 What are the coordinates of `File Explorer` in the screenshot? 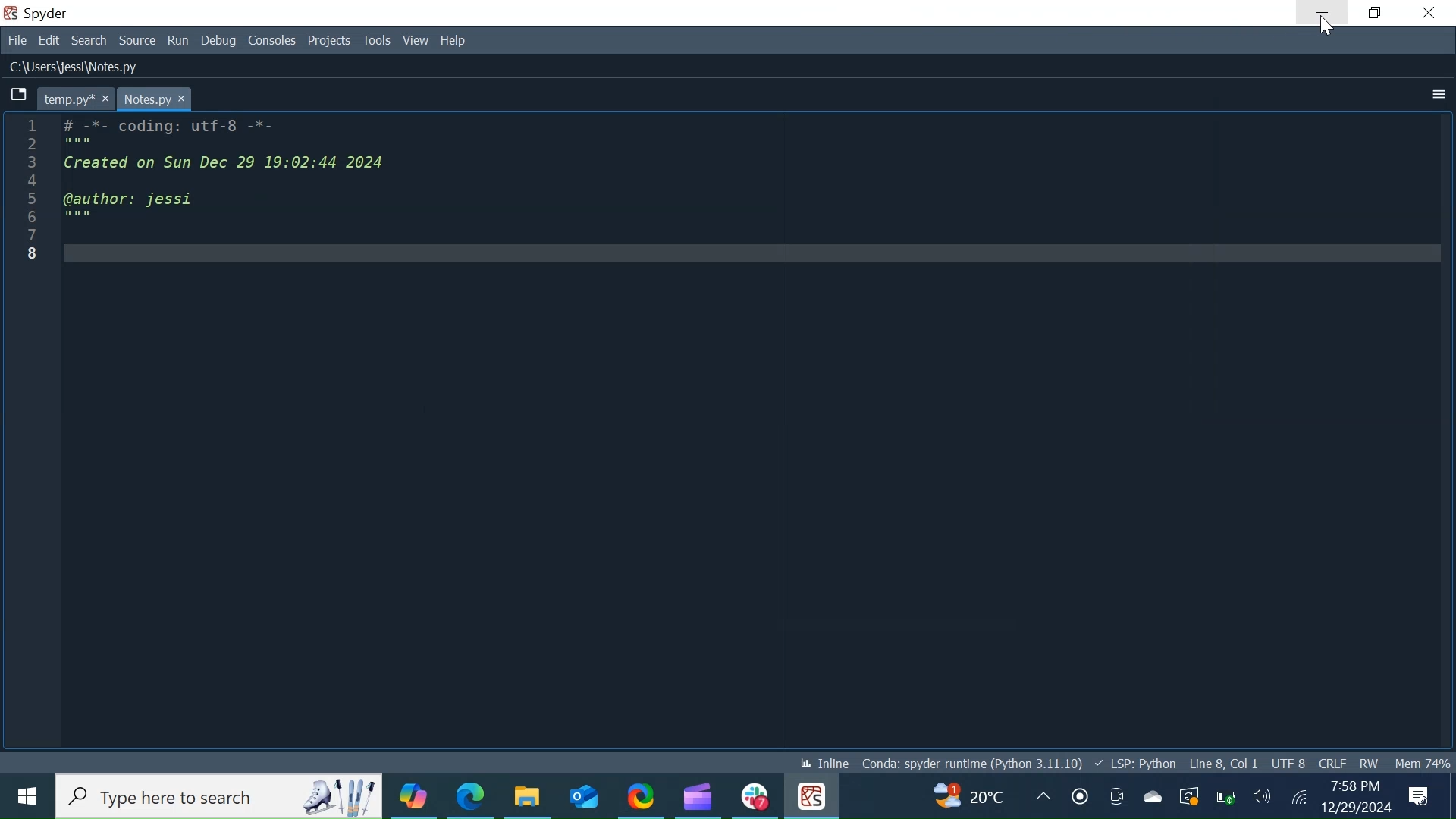 It's located at (526, 795).